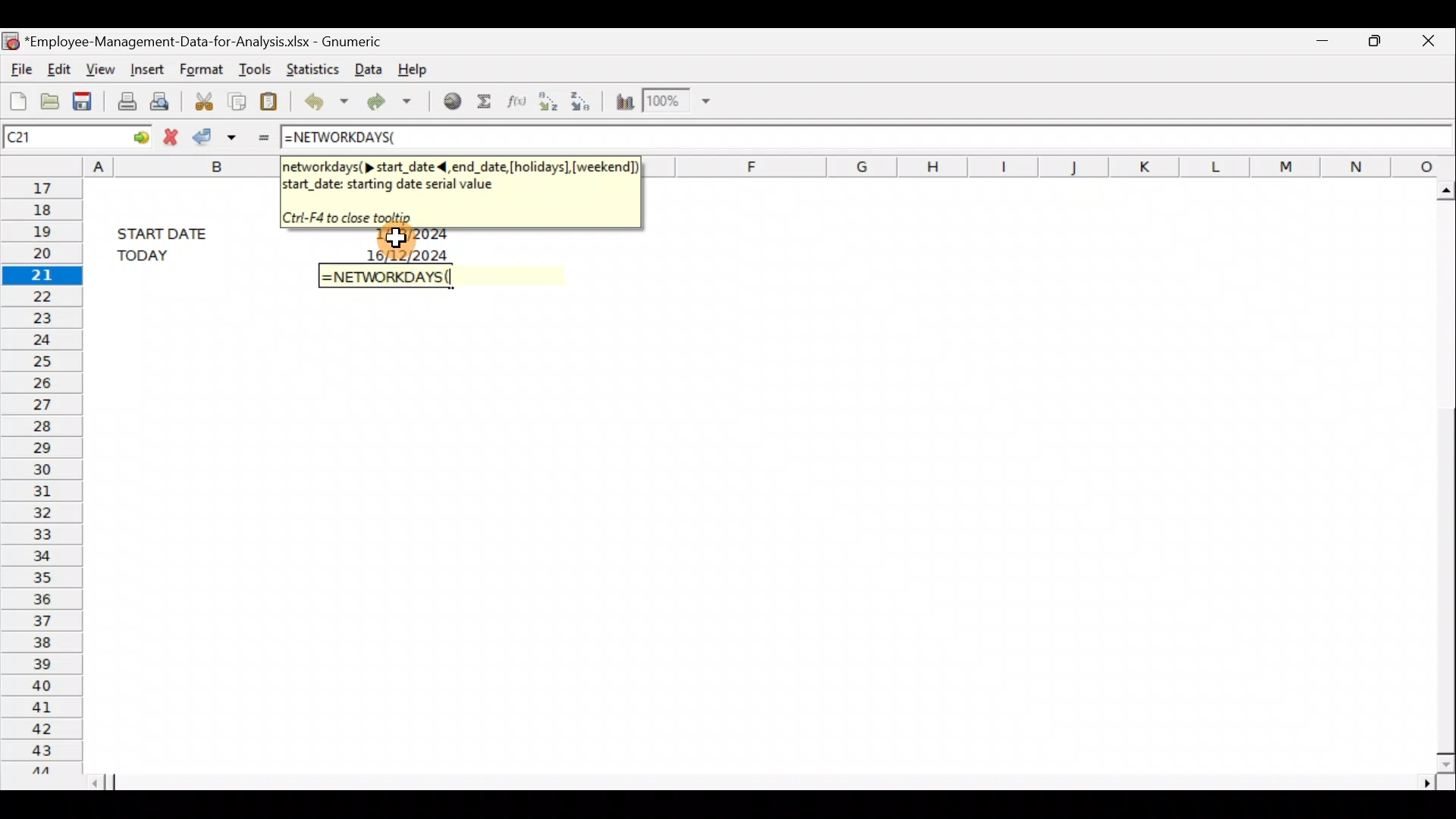 The width and height of the screenshot is (1456, 819). Describe the element at coordinates (938, 136) in the screenshot. I see `Formula bar` at that location.